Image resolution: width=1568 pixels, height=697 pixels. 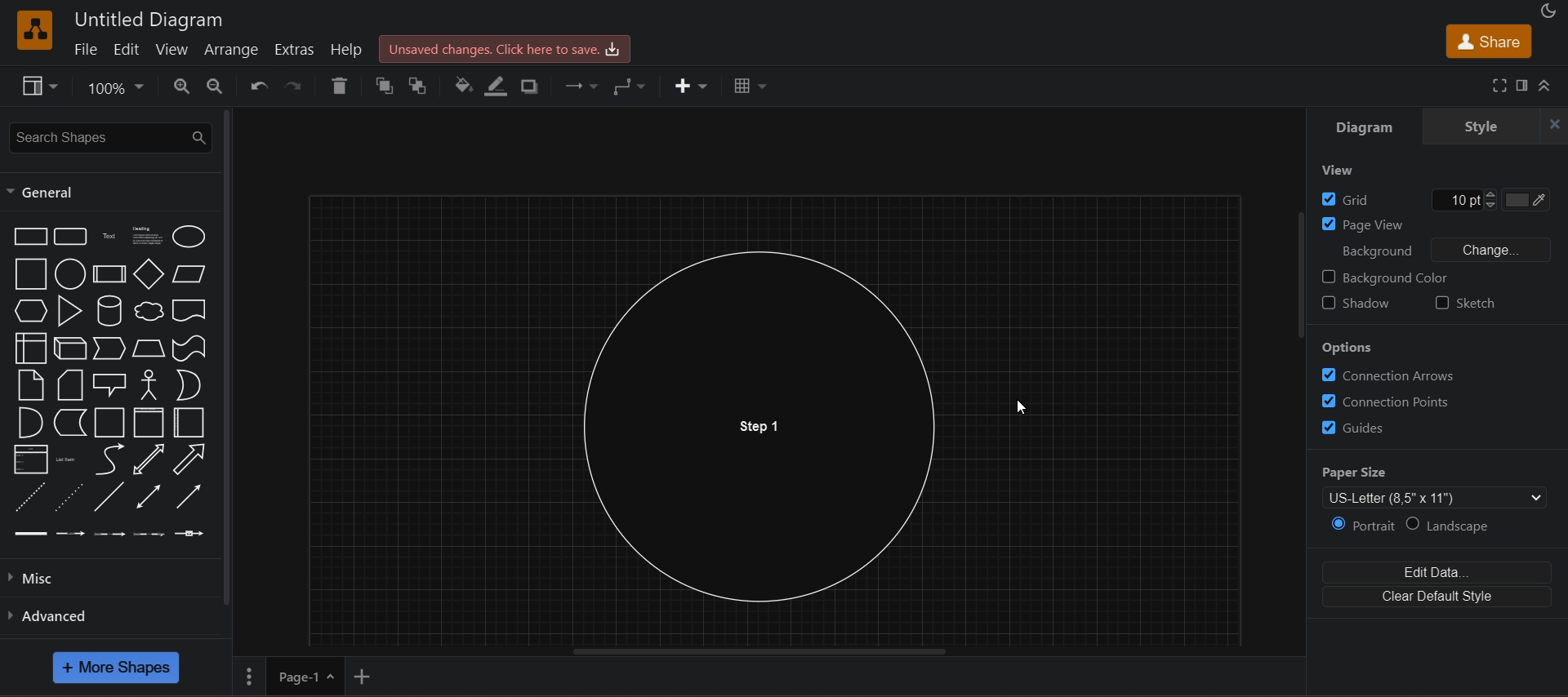 I want to click on process, so click(x=112, y=275).